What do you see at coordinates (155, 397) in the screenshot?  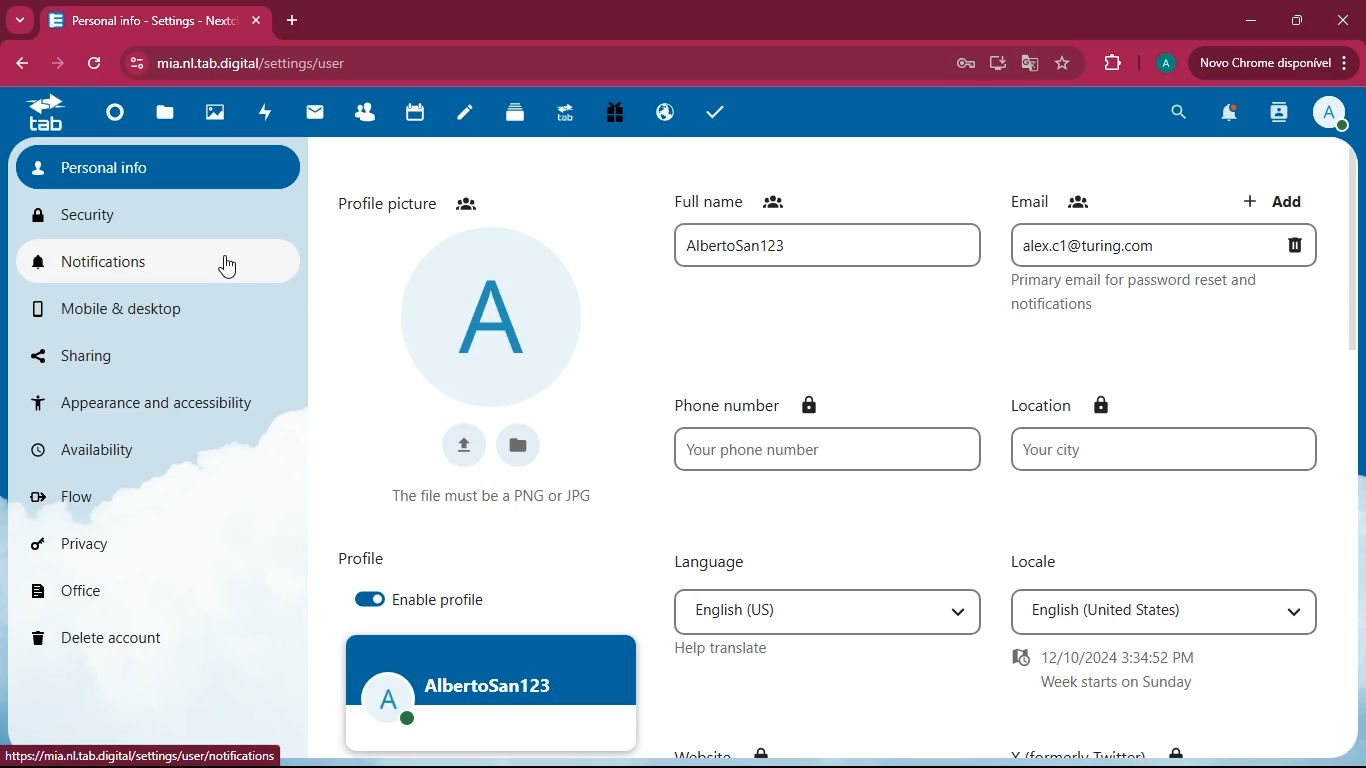 I see `appearance` at bounding box center [155, 397].